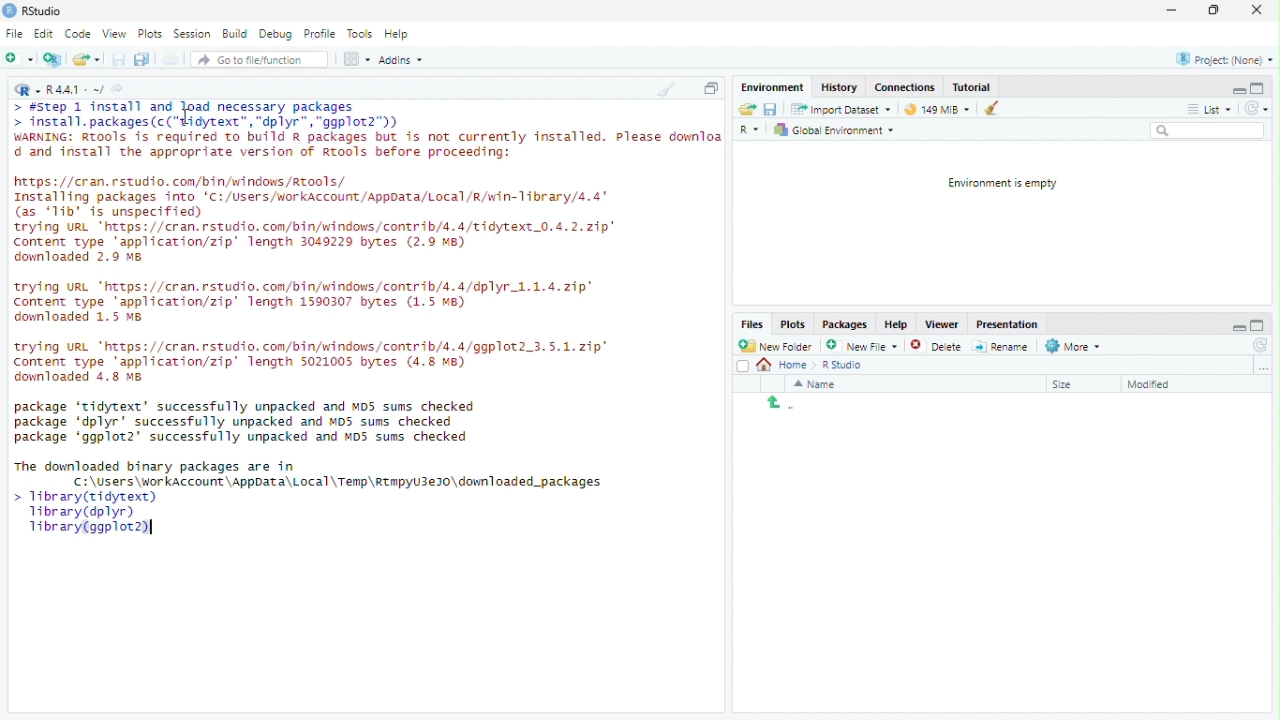 The height and width of the screenshot is (720, 1280). Describe the element at coordinates (1256, 108) in the screenshot. I see `Refresh ` at that location.